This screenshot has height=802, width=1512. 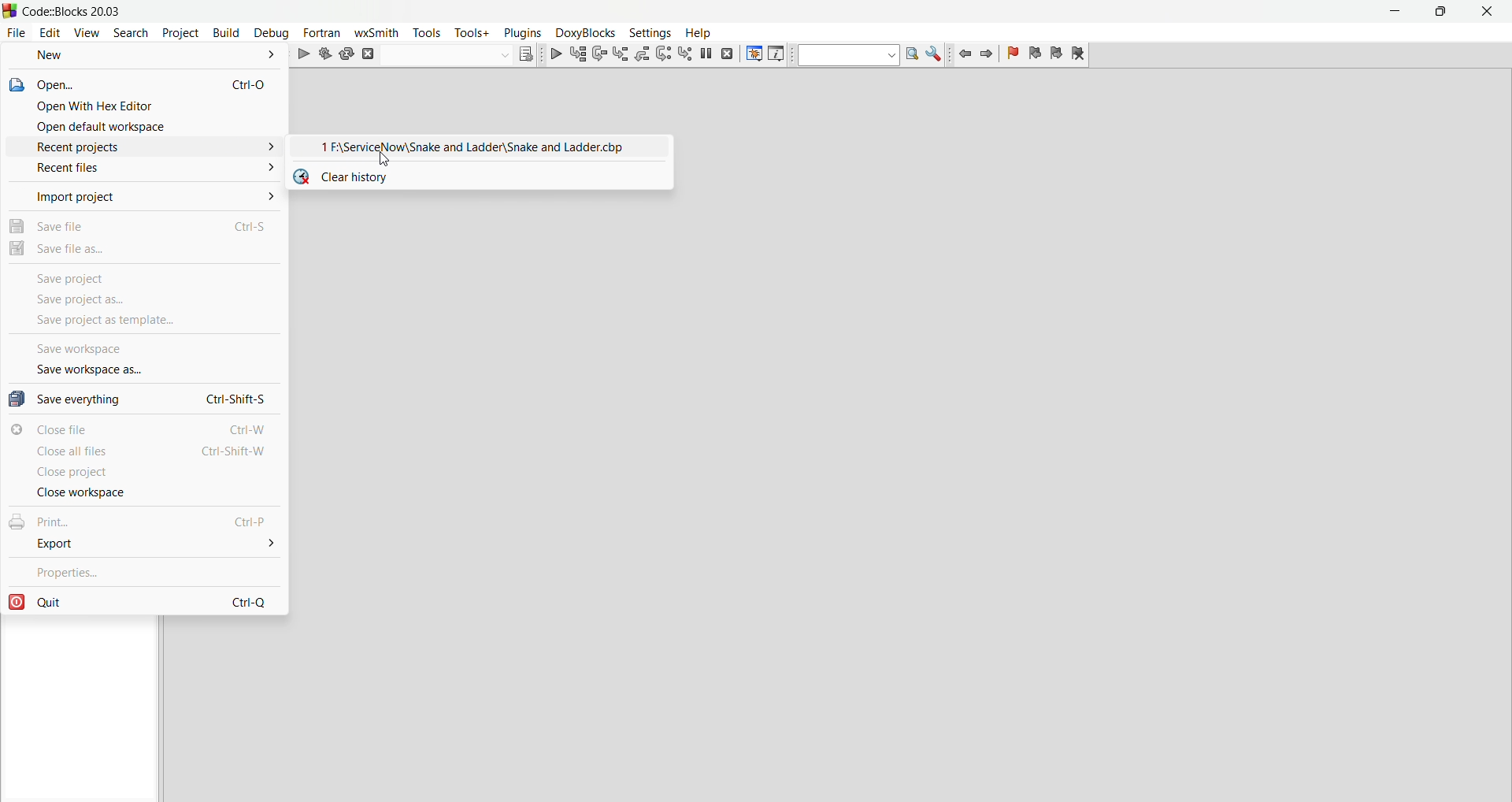 What do you see at coordinates (644, 55) in the screenshot?
I see `step out` at bounding box center [644, 55].